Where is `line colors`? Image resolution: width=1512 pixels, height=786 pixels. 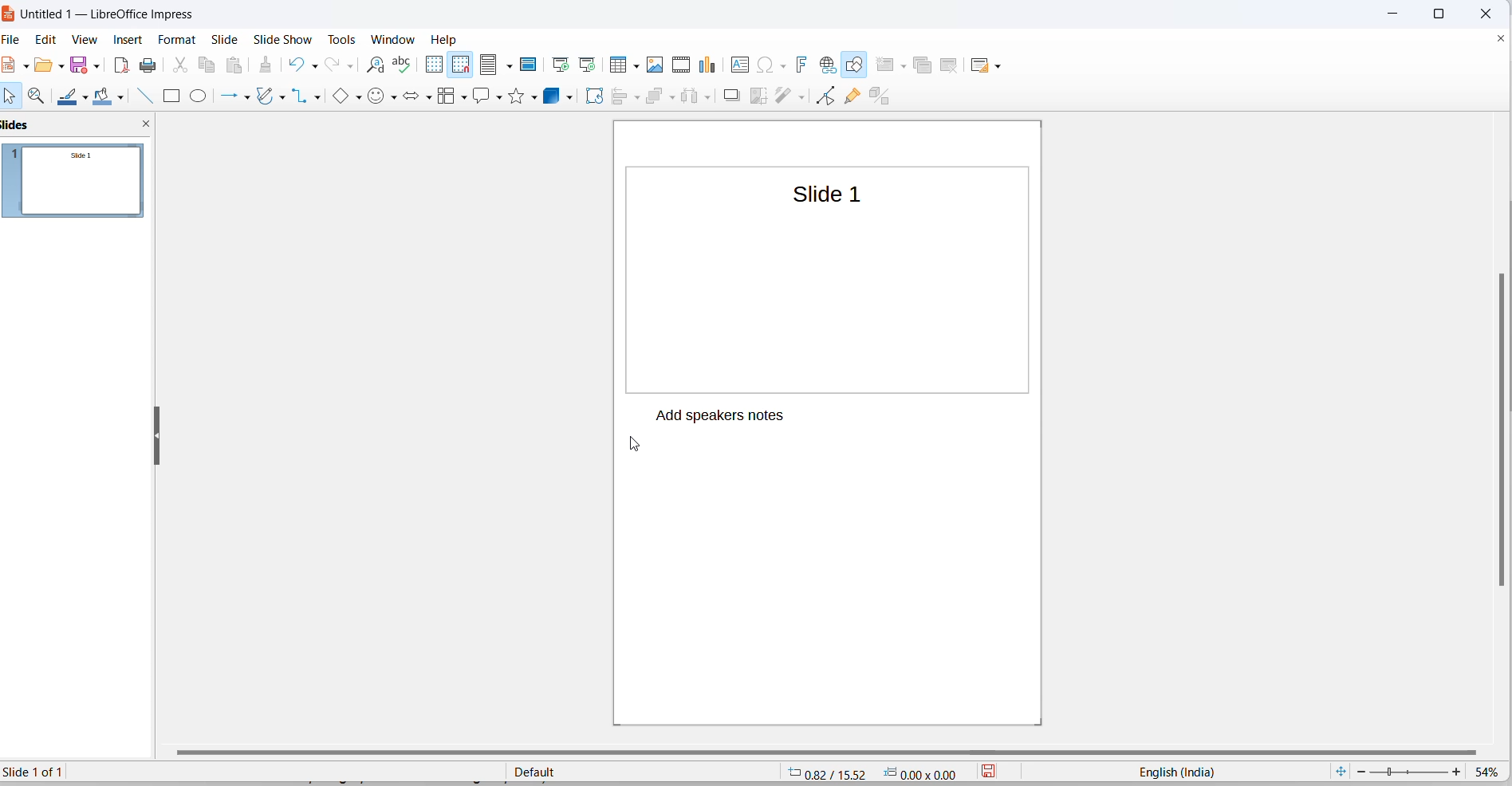 line colors is located at coordinates (69, 98).